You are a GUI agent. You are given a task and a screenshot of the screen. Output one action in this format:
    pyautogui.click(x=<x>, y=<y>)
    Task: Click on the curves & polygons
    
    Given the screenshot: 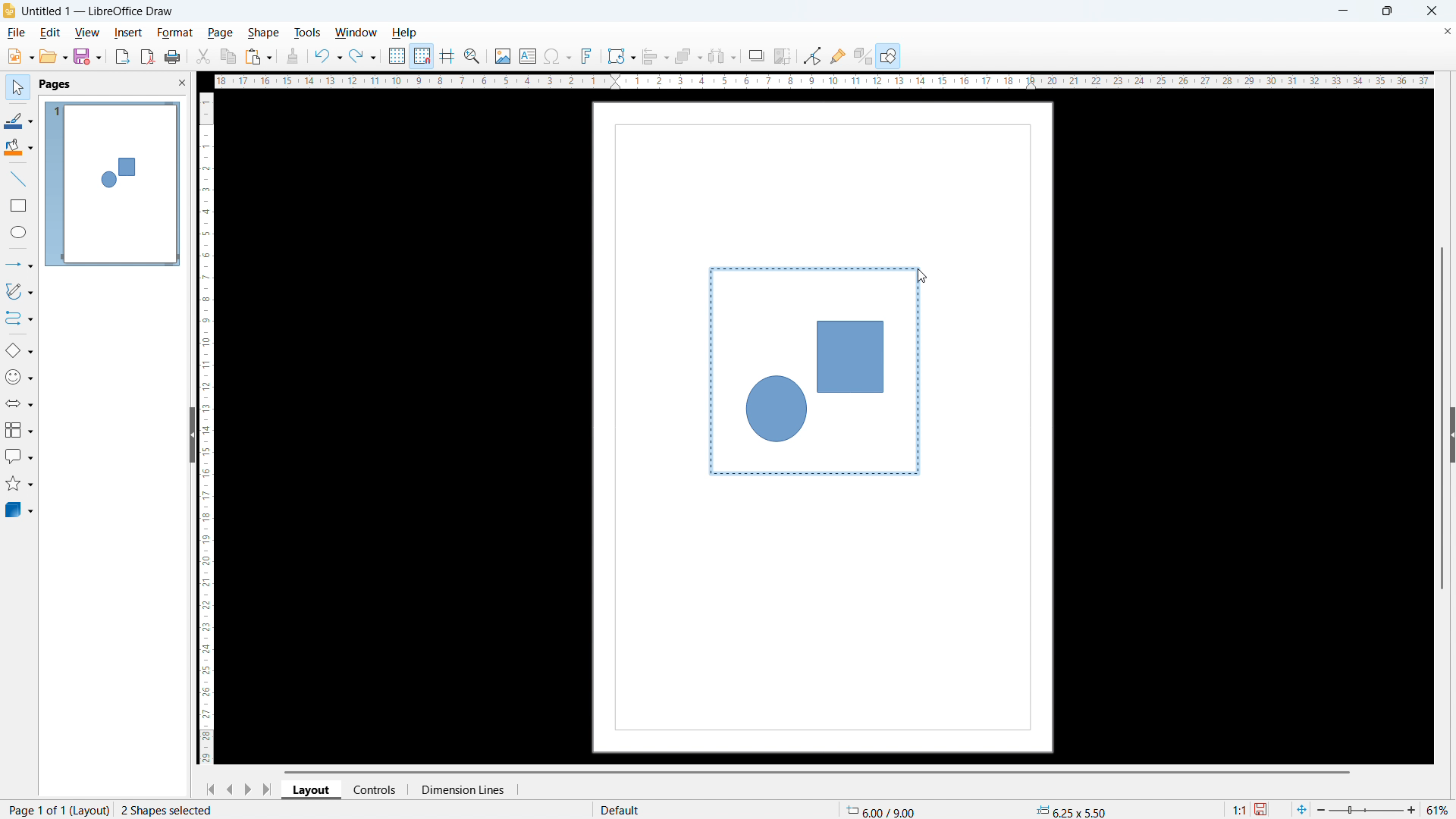 What is the action you would take?
    pyautogui.click(x=20, y=291)
    